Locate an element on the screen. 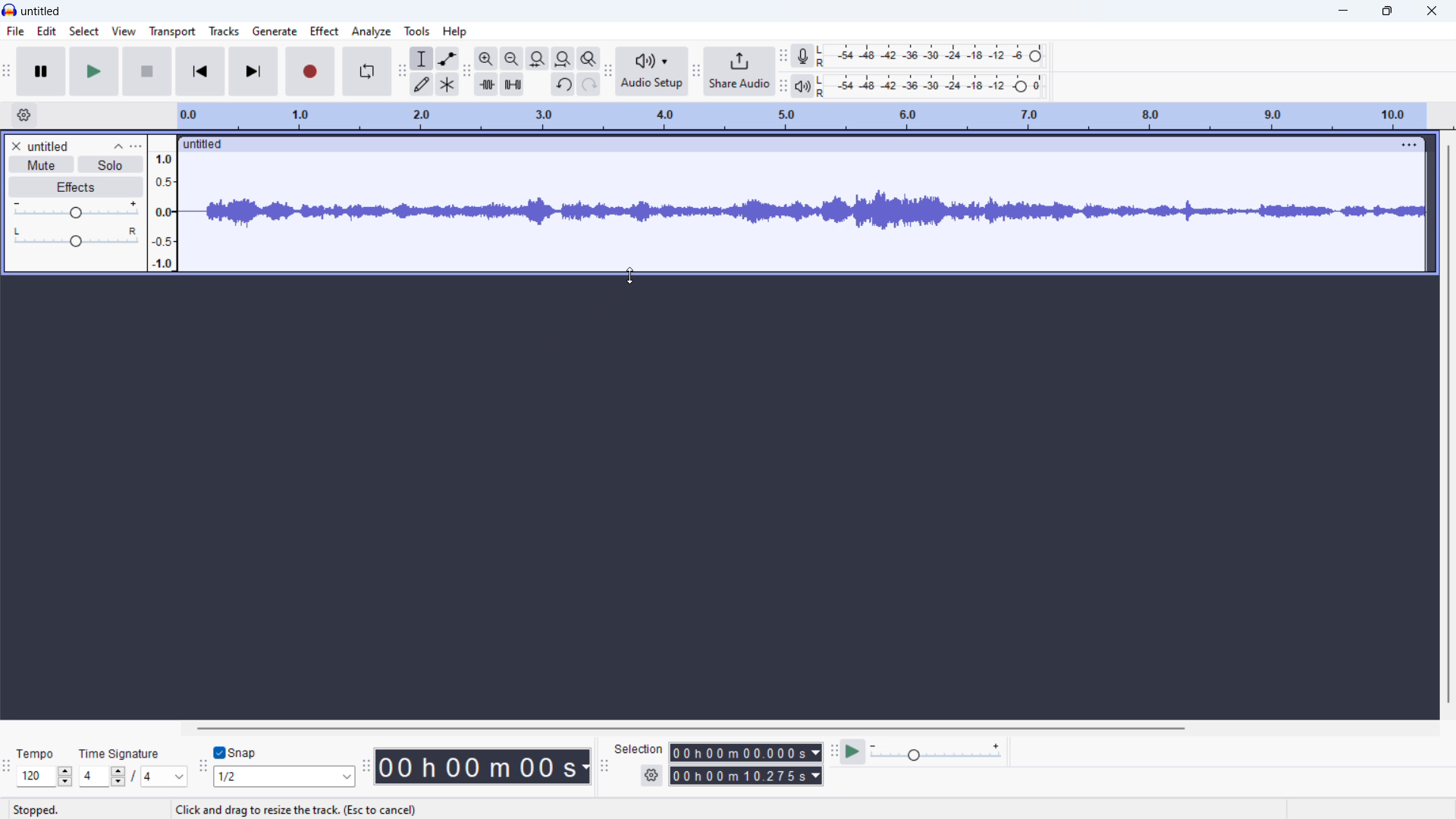 The height and width of the screenshot is (819, 1456). recording level is located at coordinates (934, 56).